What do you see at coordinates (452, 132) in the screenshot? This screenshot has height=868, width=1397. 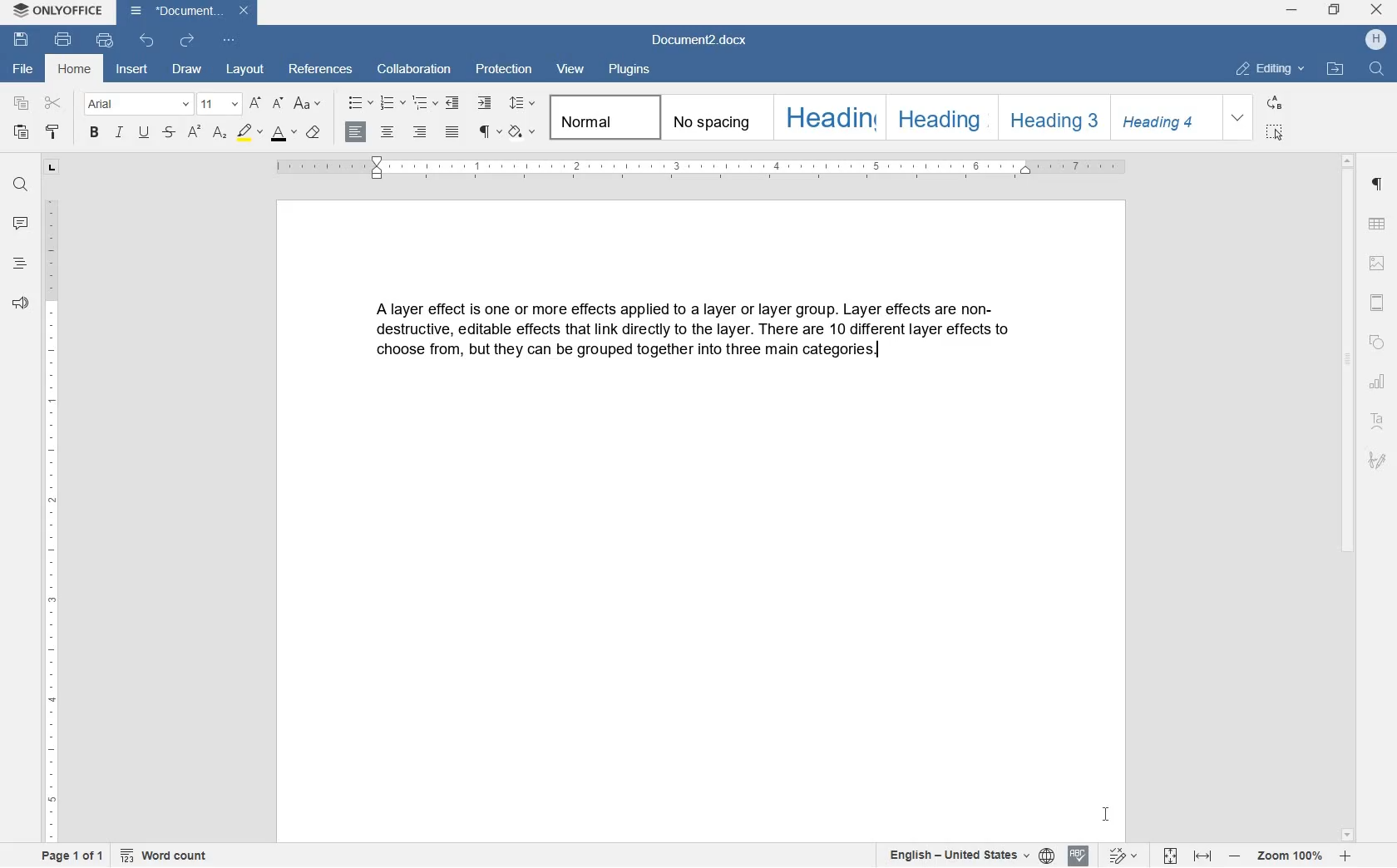 I see `JUSTIFIED` at bounding box center [452, 132].